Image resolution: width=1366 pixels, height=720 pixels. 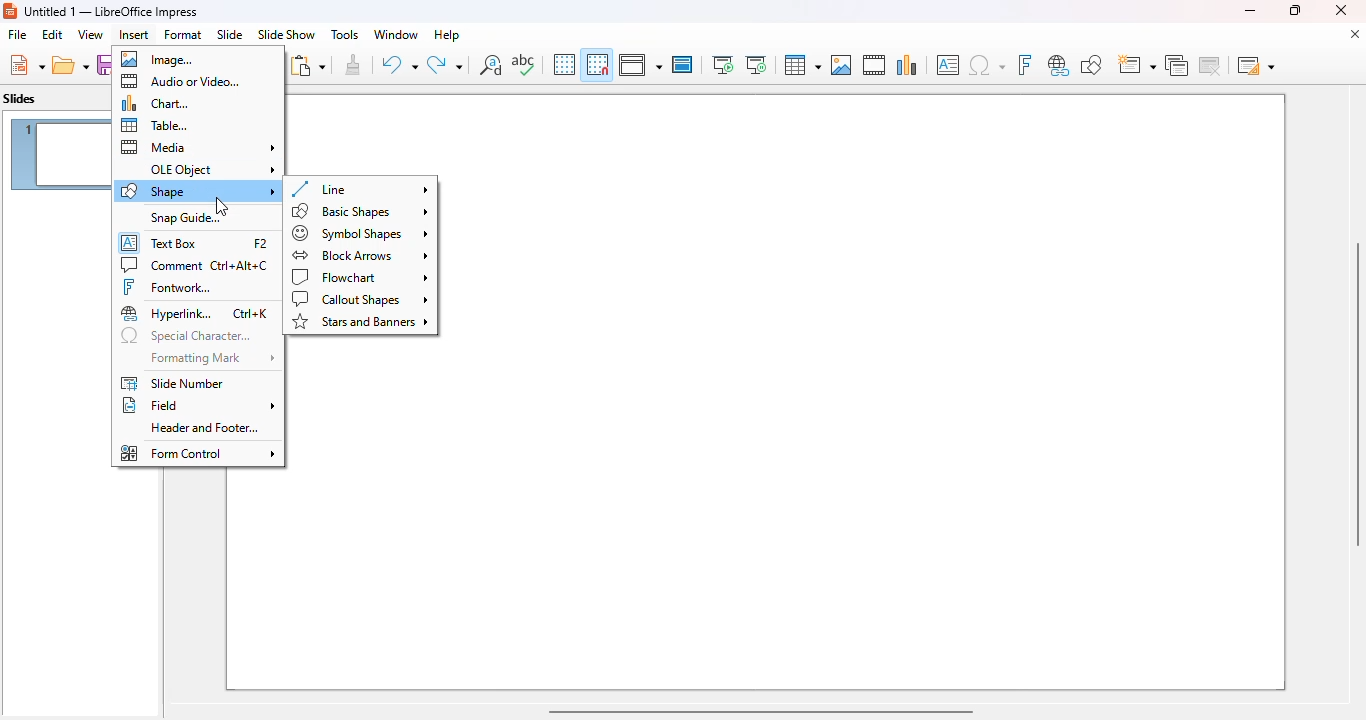 I want to click on logo, so click(x=10, y=11).